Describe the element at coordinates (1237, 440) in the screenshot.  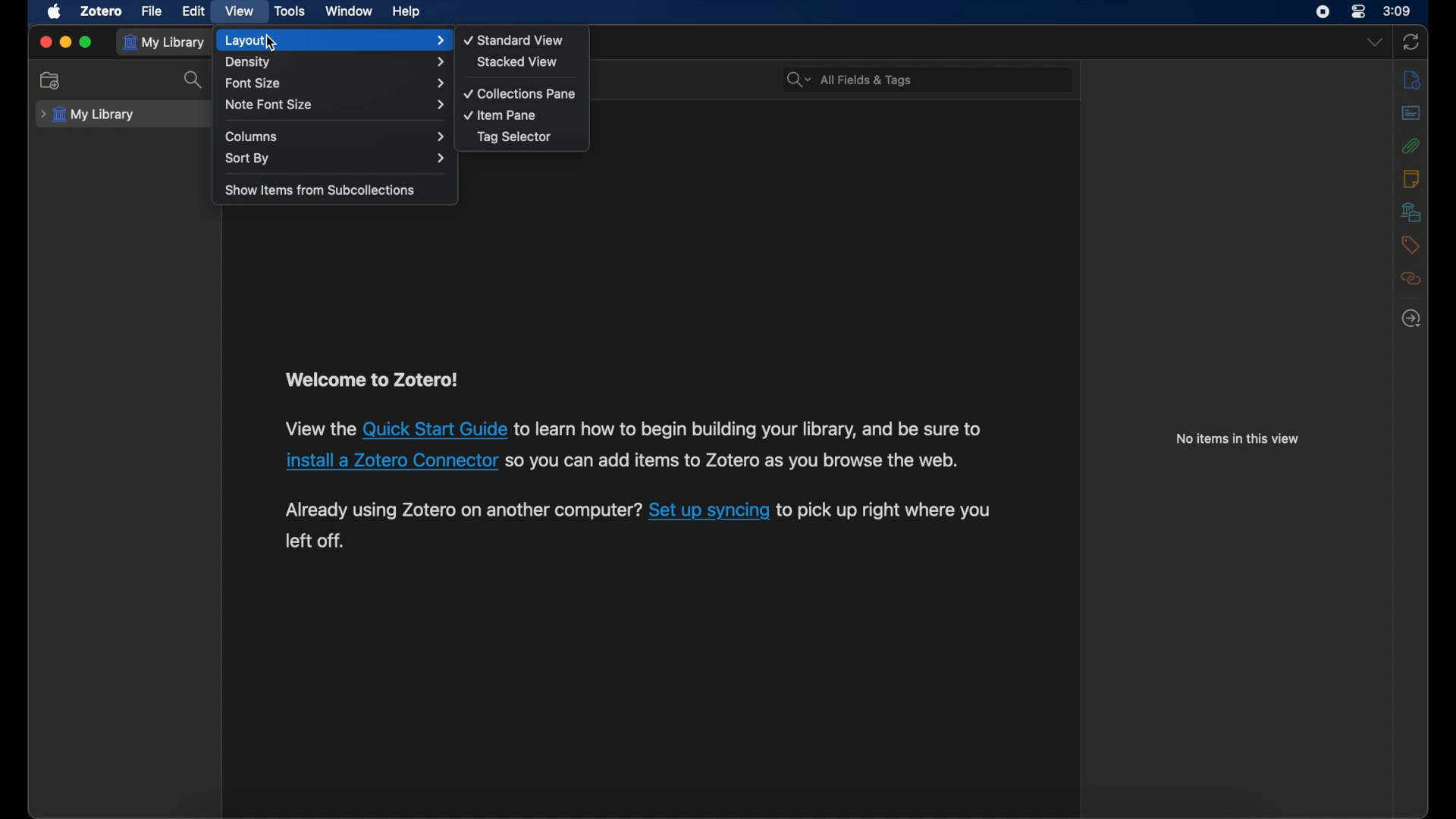
I see `info` at that location.